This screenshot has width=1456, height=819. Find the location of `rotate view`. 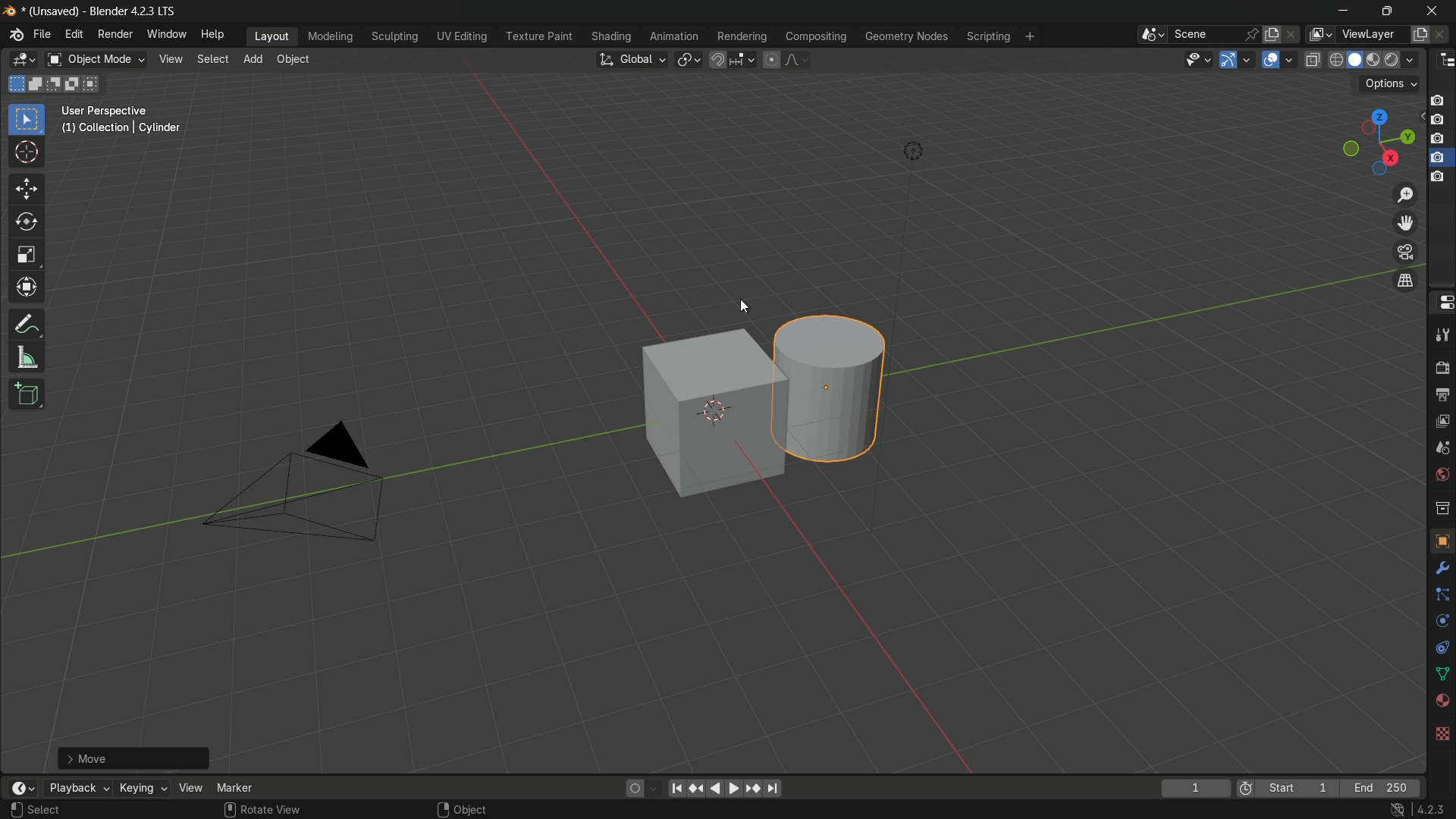

rotate view is located at coordinates (270, 810).